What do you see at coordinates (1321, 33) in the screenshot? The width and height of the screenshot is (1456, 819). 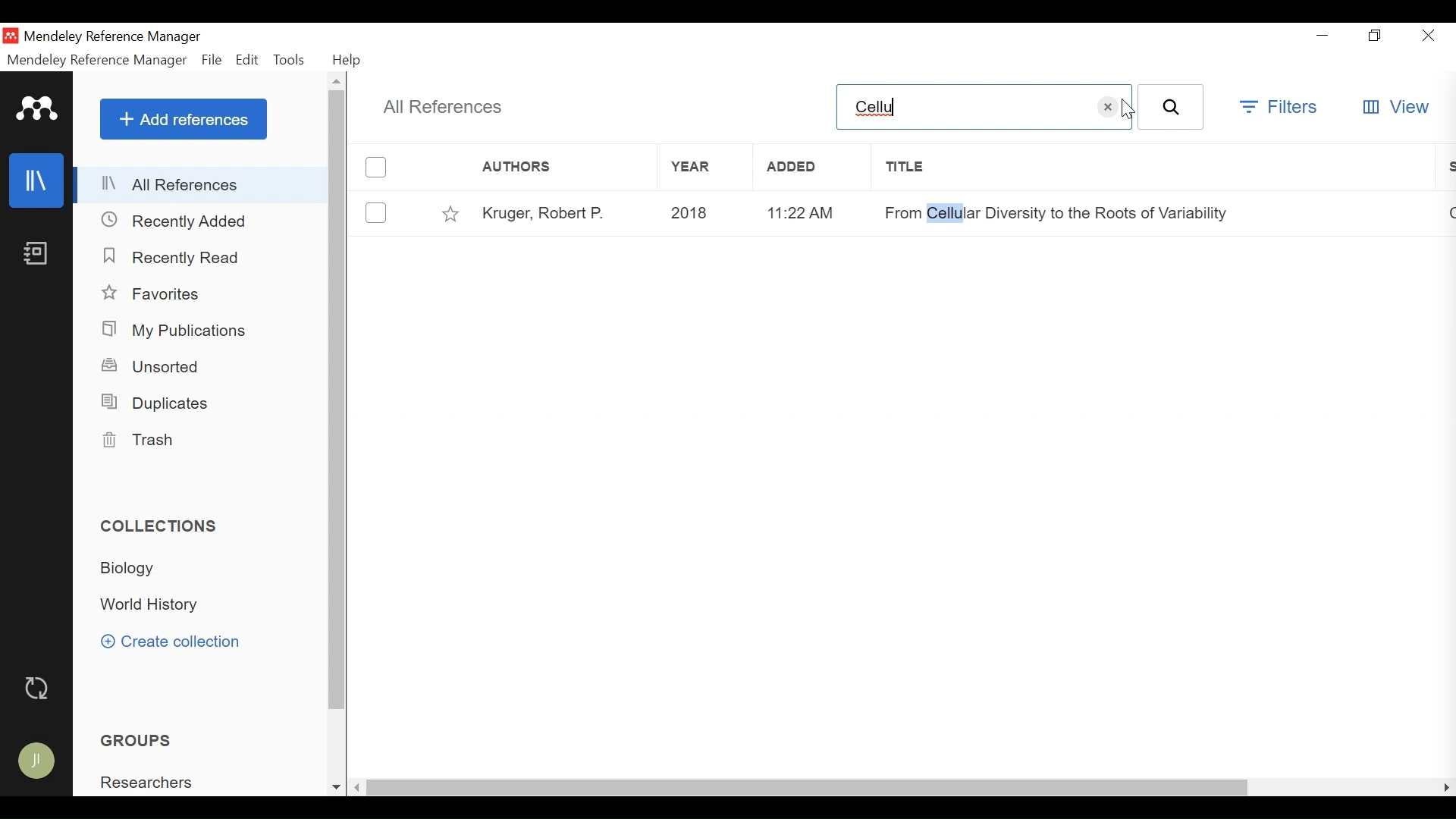 I see `minimize` at bounding box center [1321, 33].